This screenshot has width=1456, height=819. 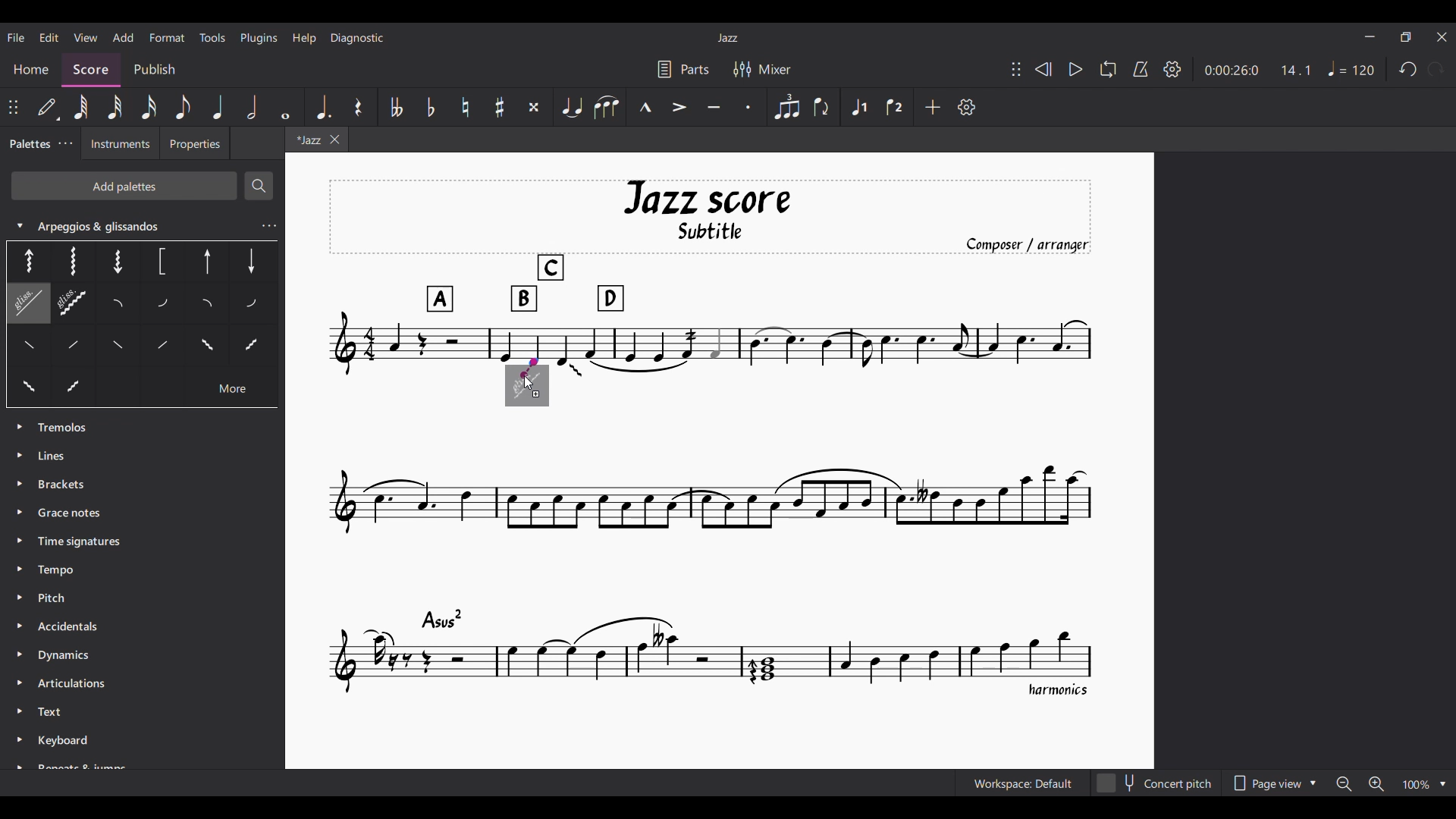 I want to click on Mixer settings, so click(x=761, y=69).